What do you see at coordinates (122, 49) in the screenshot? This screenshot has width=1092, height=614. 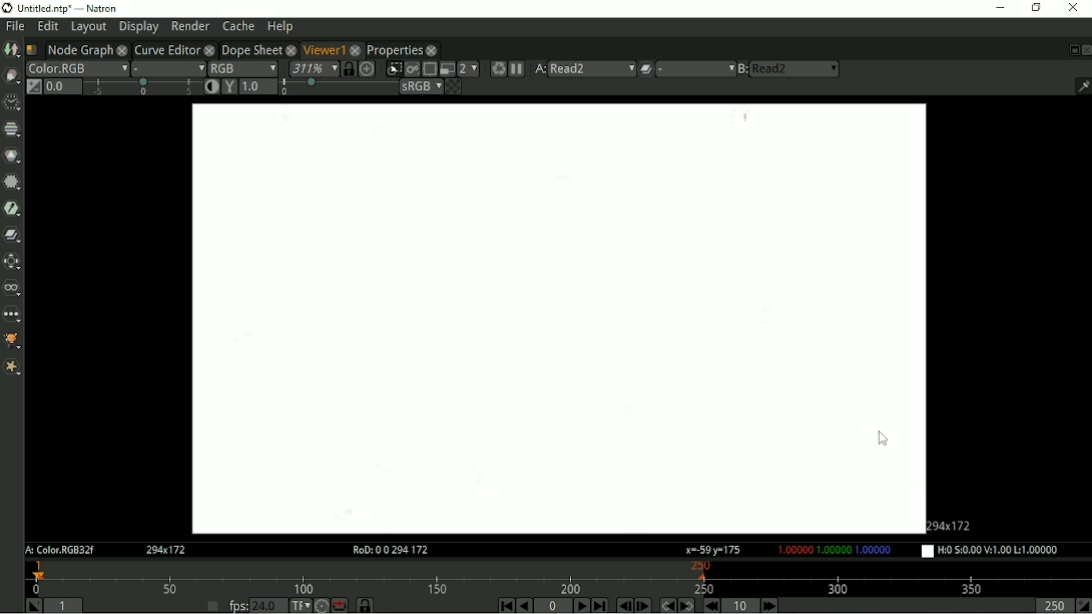 I see `close` at bounding box center [122, 49].